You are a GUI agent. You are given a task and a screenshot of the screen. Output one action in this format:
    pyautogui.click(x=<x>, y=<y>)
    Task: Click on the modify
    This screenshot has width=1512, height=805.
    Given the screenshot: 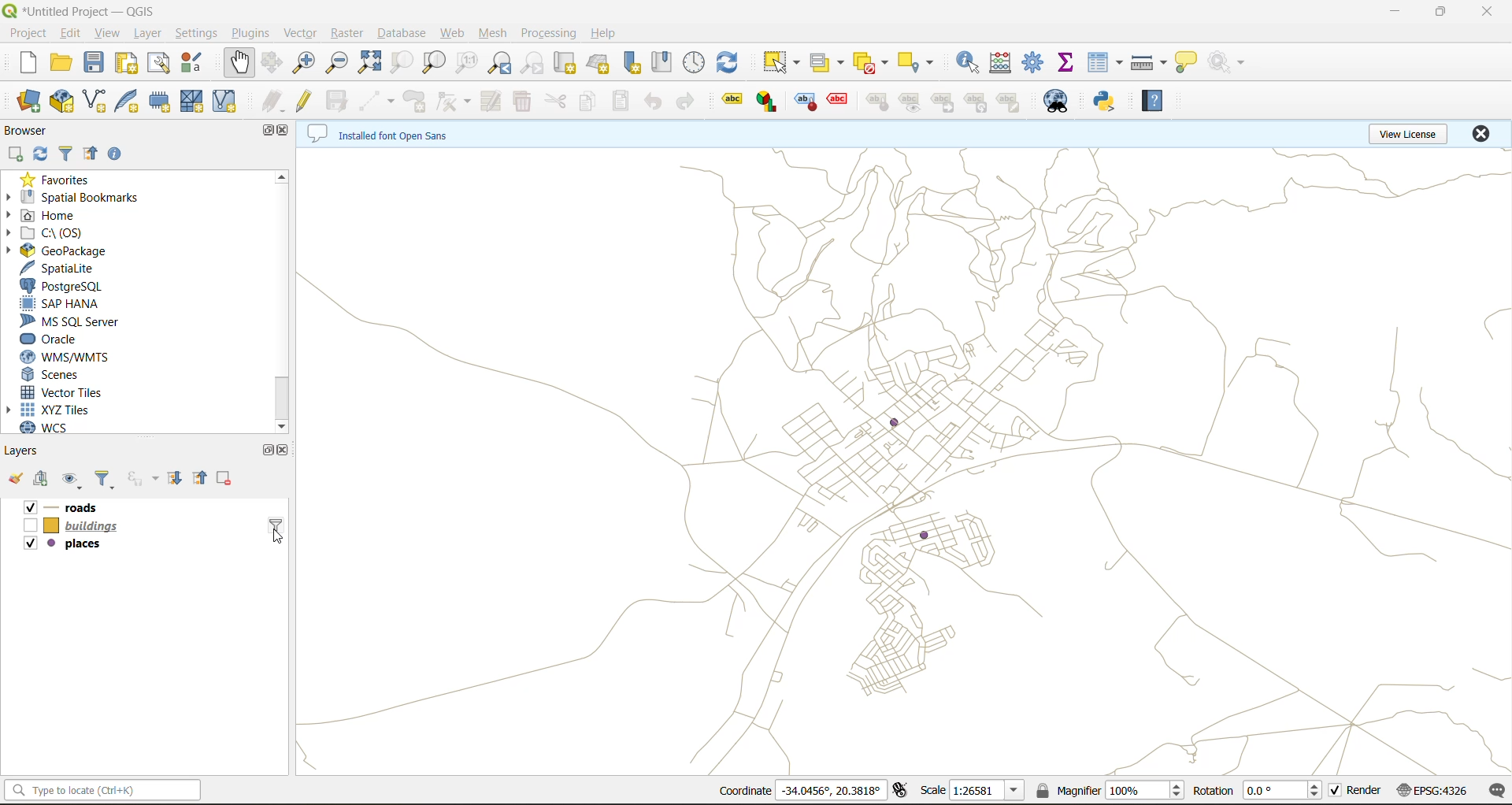 What is the action you would take?
    pyautogui.click(x=490, y=102)
    